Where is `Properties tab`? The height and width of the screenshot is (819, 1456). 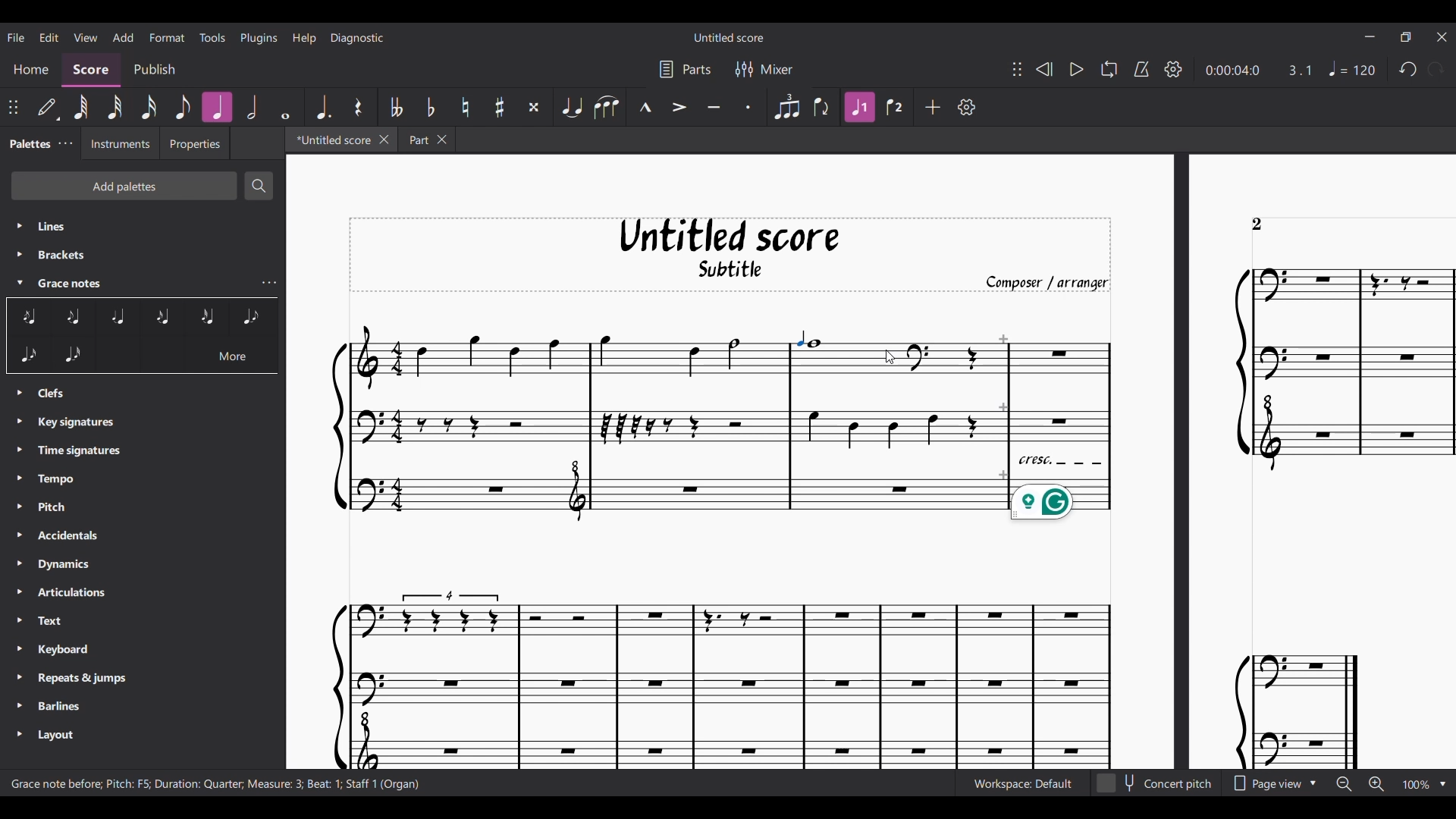 Properties tab is located at coordinates (194, 143).